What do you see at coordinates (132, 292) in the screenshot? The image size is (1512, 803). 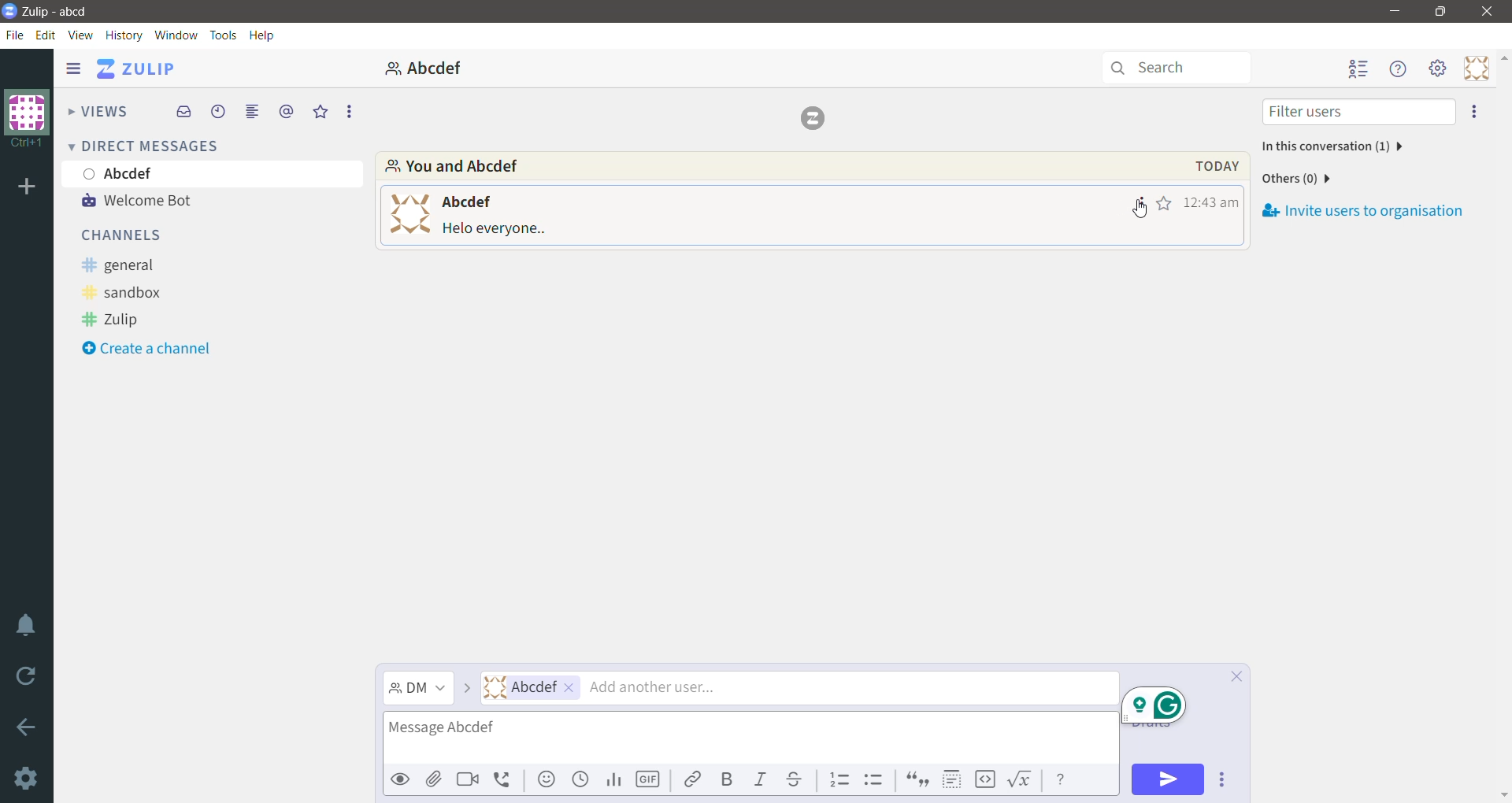 I see `sandbox` at bounding box center [132, 292].